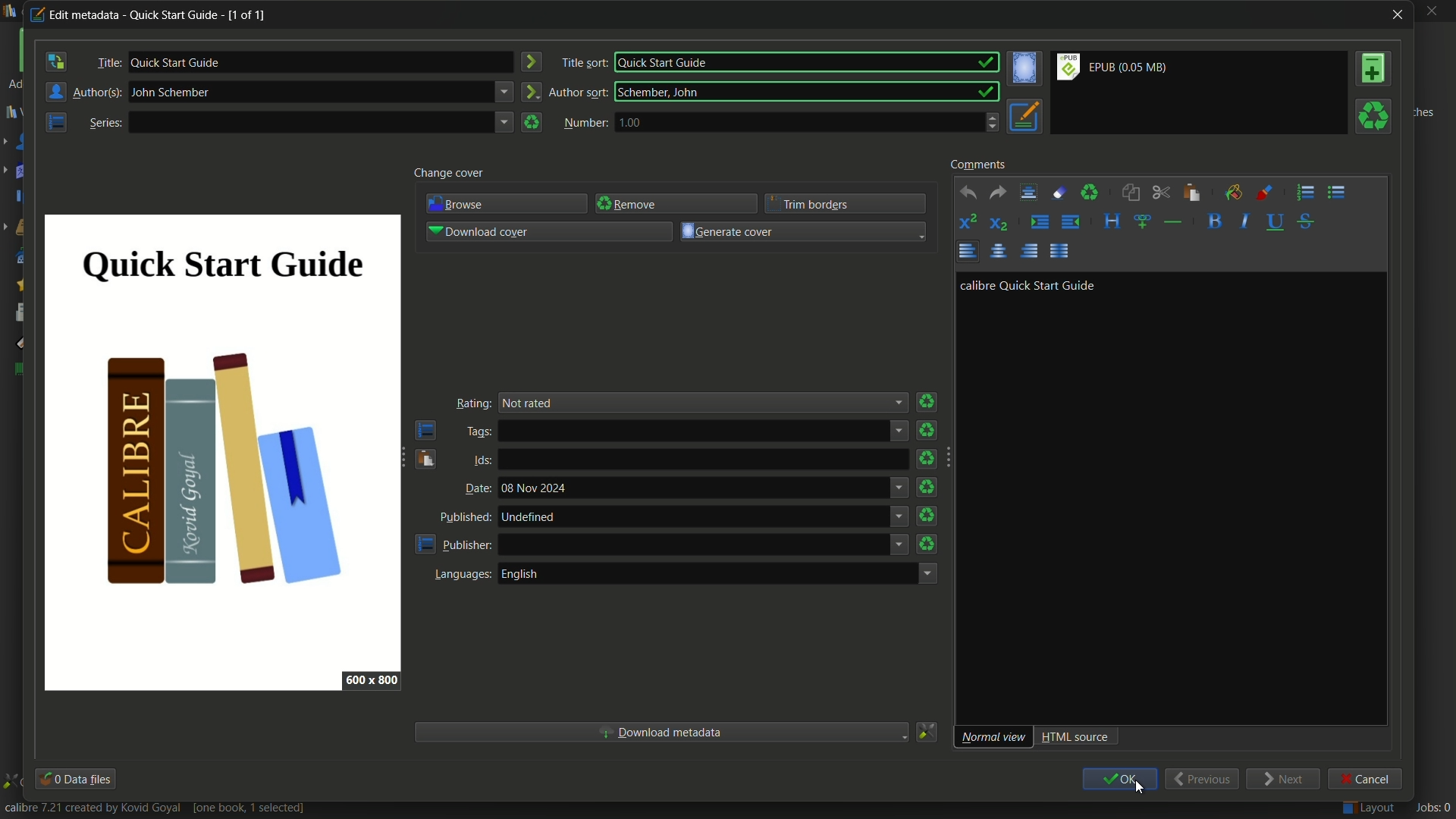 The image size is (1456, 819). Describe the element at coordinates (1024, 116) in the screenshot. I see `set metadata` at that location.